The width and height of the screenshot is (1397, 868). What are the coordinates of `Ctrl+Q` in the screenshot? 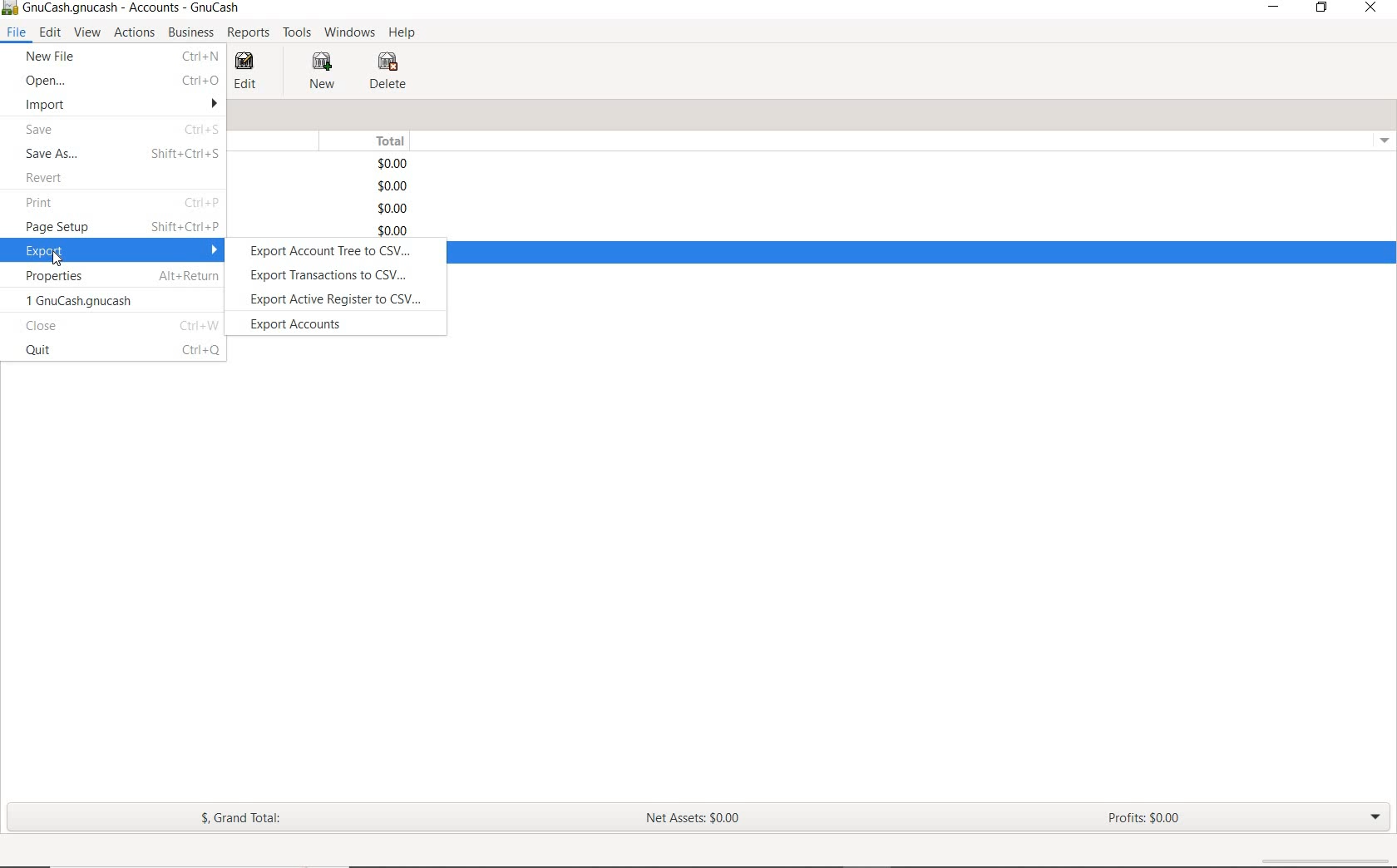 It's located at (199, 350).